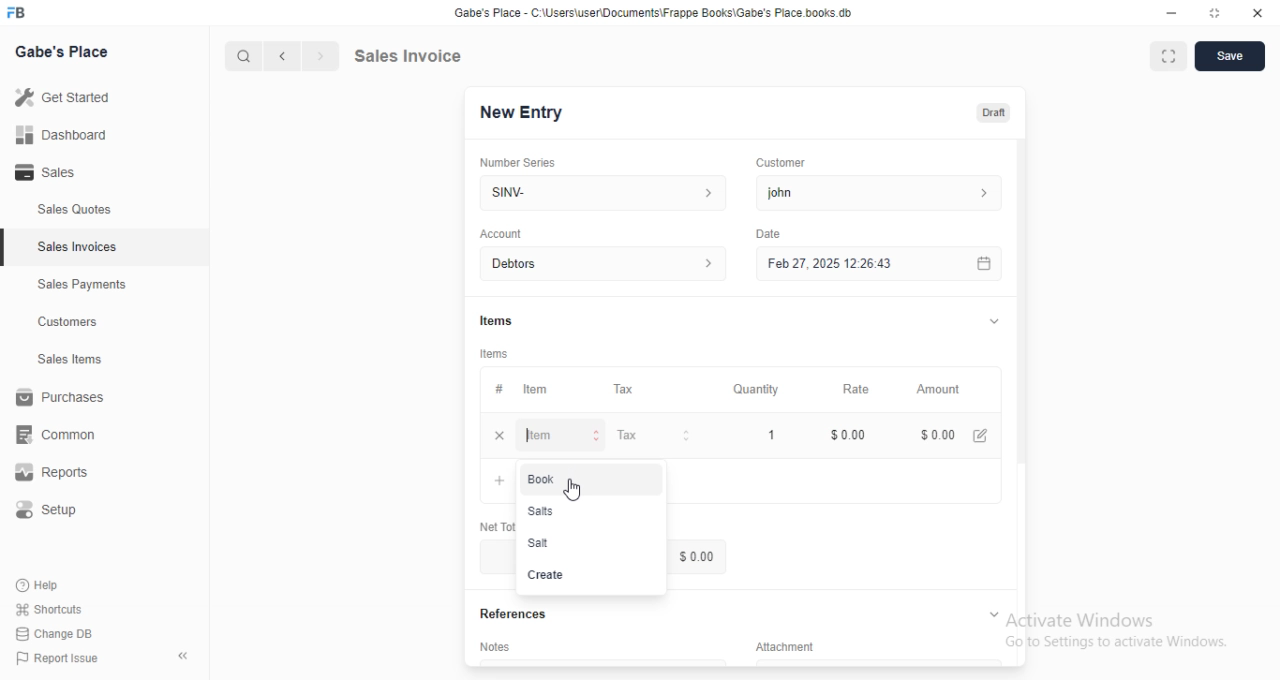 This screenshot has height=680, width=1280. What do you see at coordinates (657, 13) in the screenshot?
I see `Gabe's Place - C'\Users\userDocuments\Frappe Books\Gabe's Place books db` at bounding box center [657, 13].